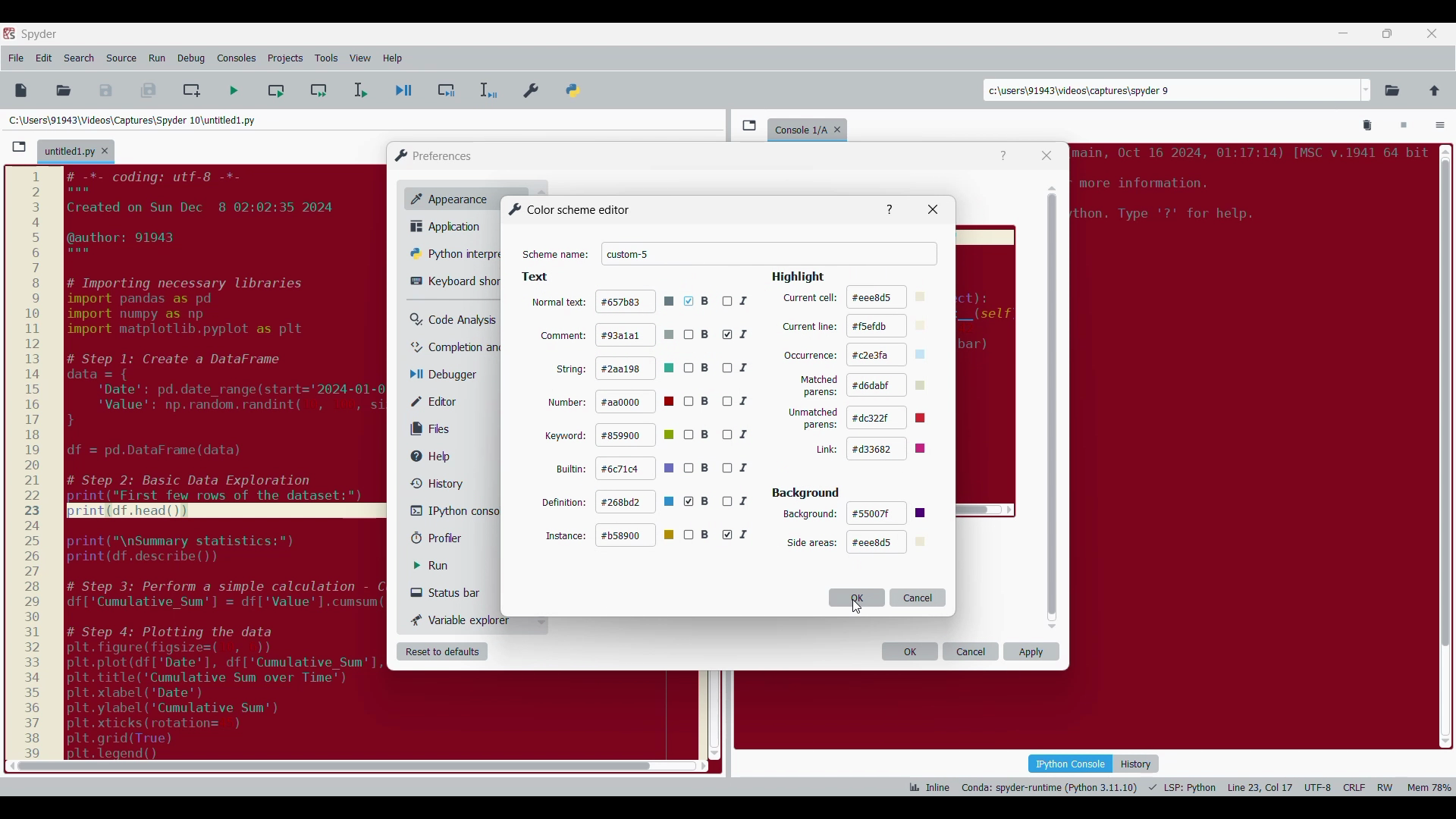  What do you see at coordinates (634, 334) in the screenshot?
I see `#93alal` at bounding box center [634, 334].